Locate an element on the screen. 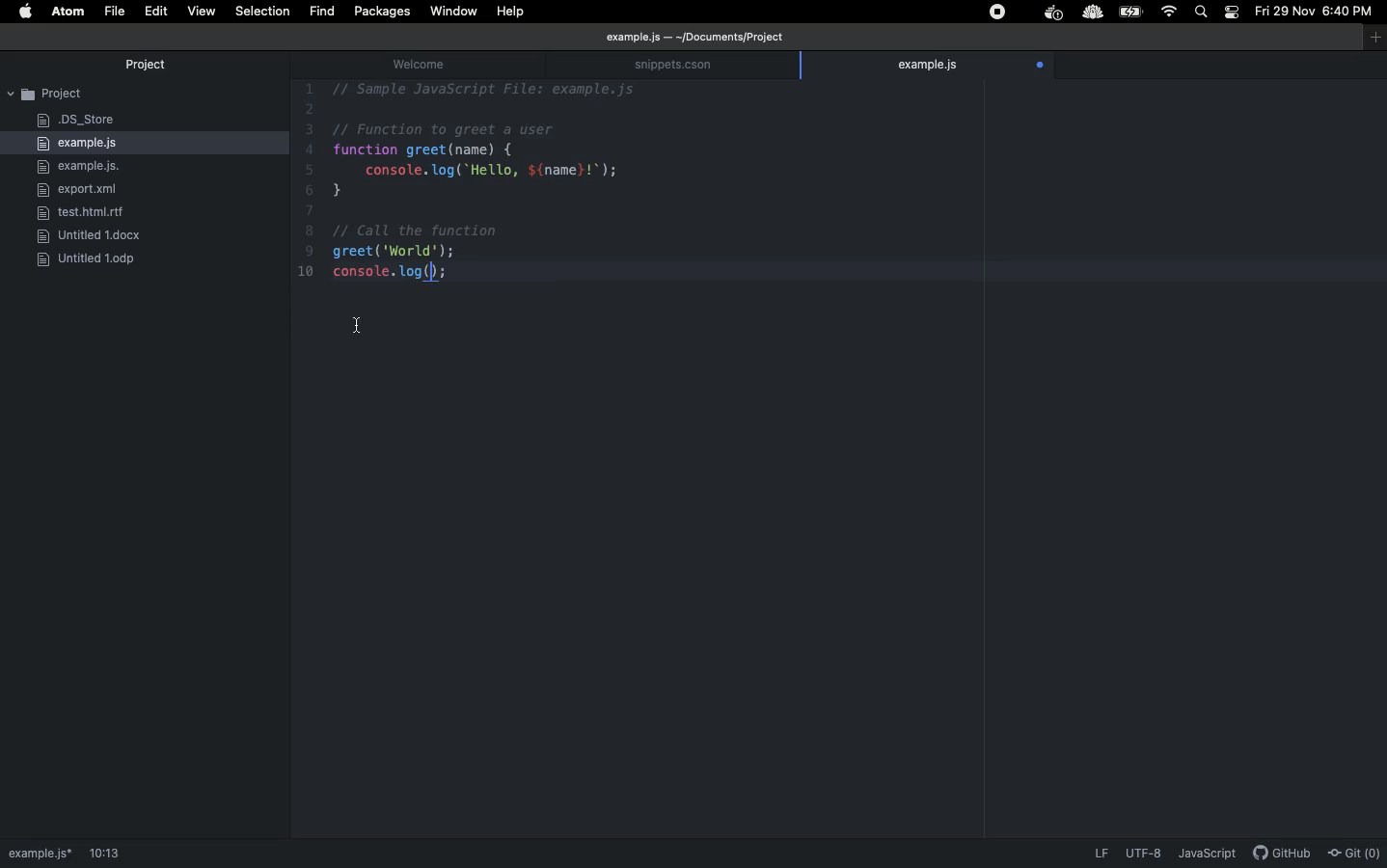 The image size is (1387, 868). extension is located at coordinates (1052, 14).